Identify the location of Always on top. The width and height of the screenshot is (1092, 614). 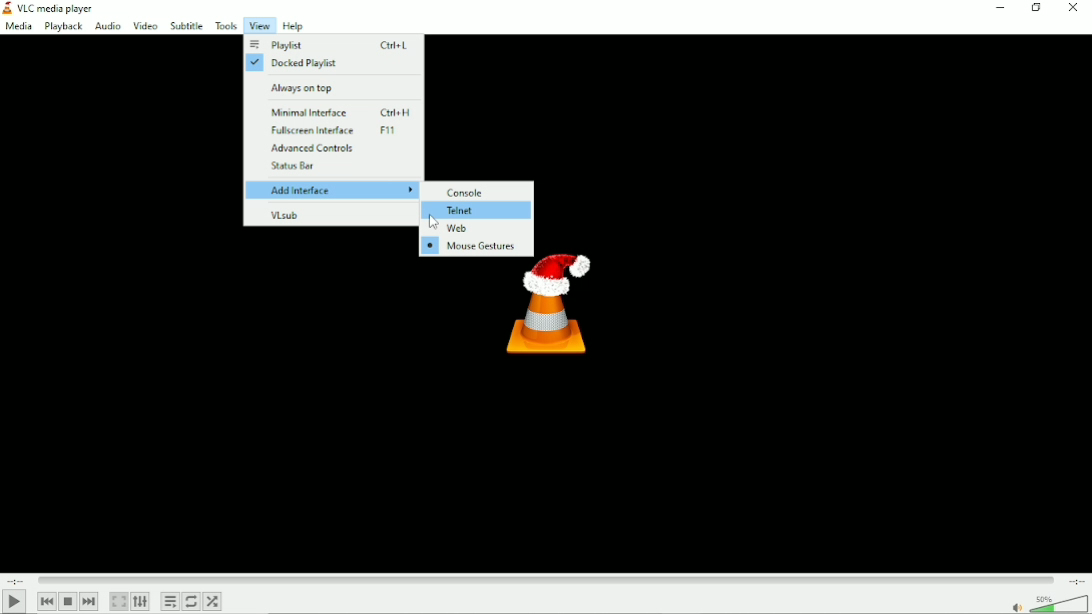
(330, 86).